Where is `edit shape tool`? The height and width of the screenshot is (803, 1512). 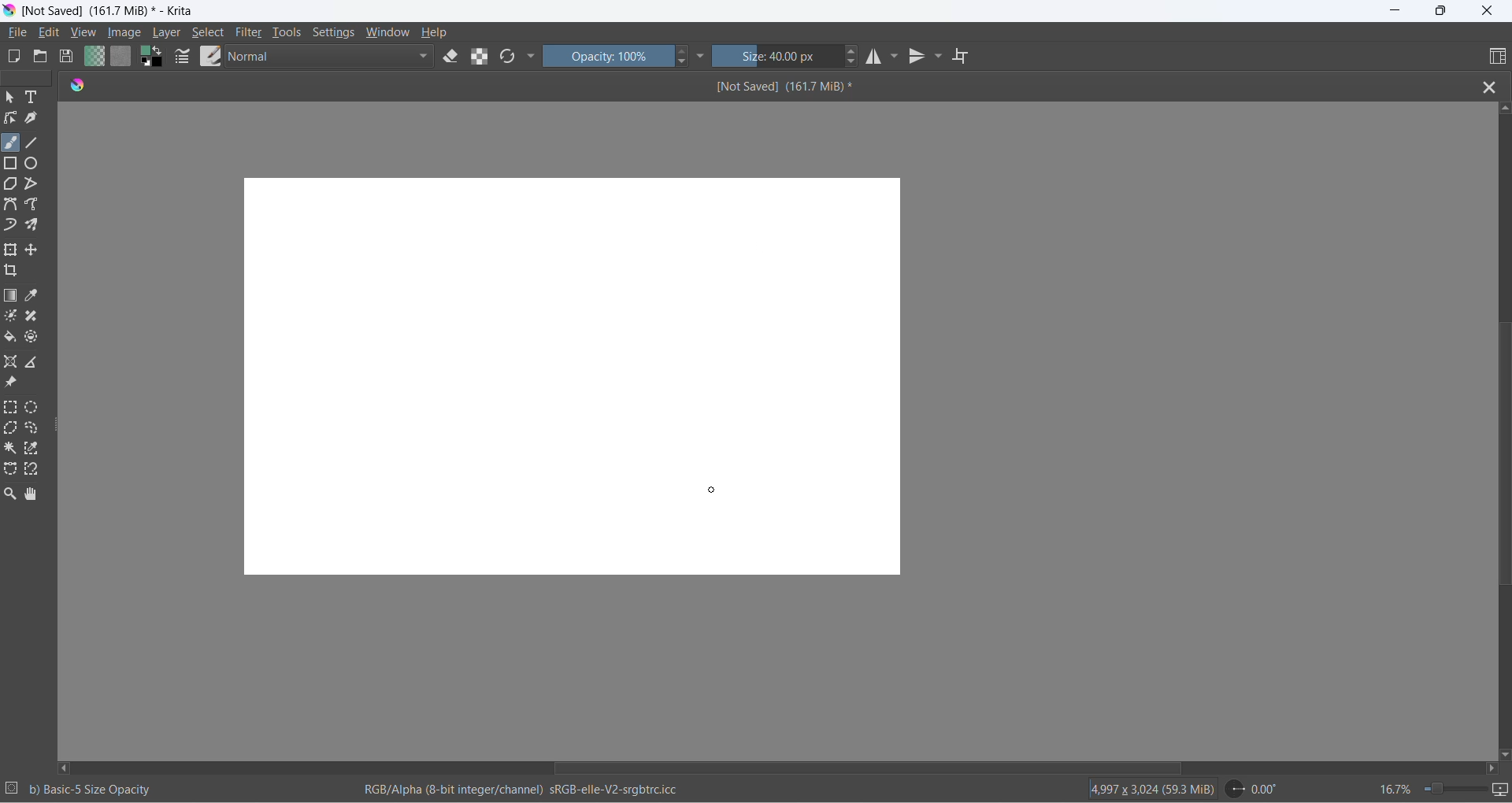
edit shape tool is located at coordinates (10, 118).